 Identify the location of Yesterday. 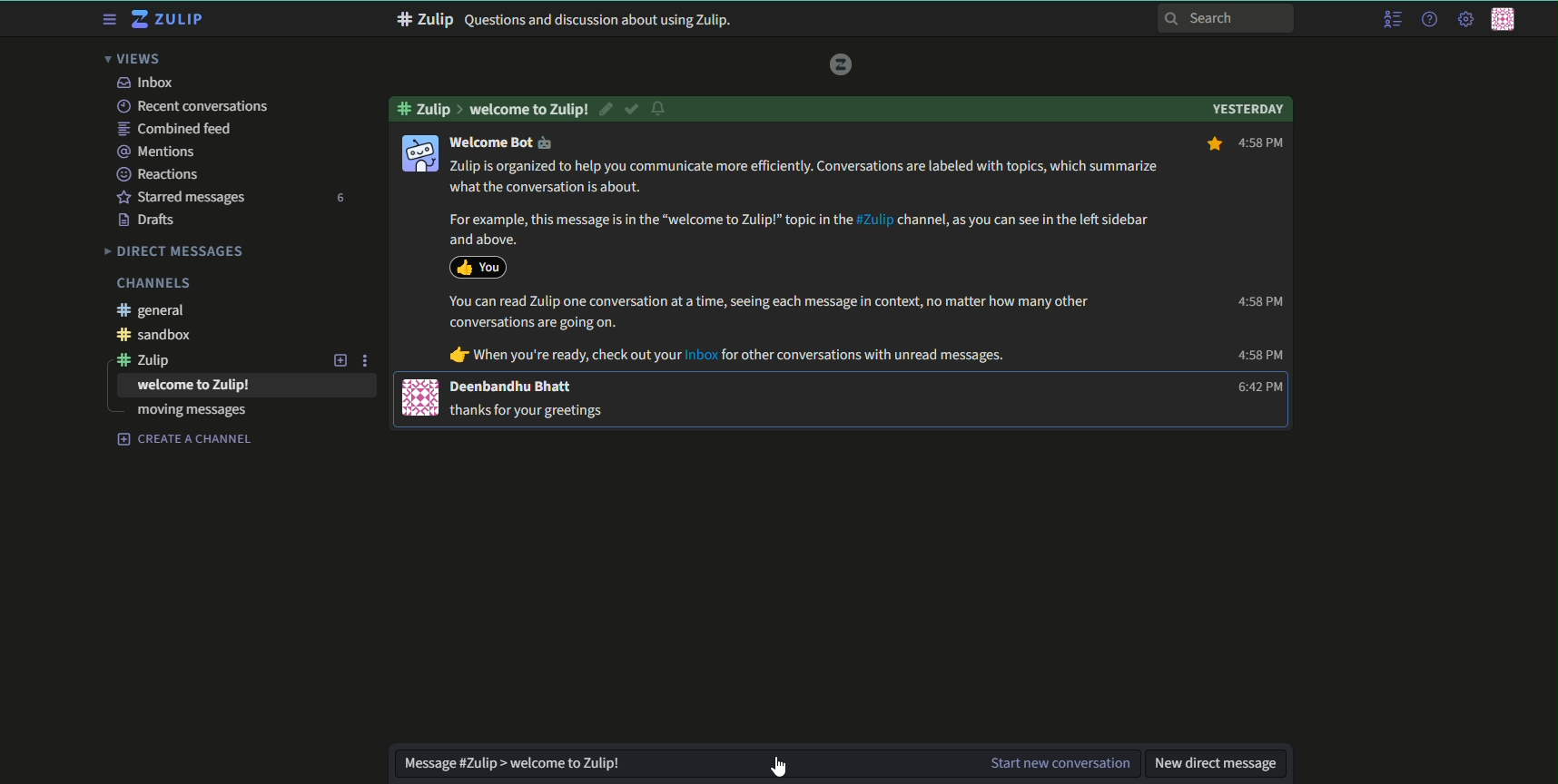
(1247, 107).